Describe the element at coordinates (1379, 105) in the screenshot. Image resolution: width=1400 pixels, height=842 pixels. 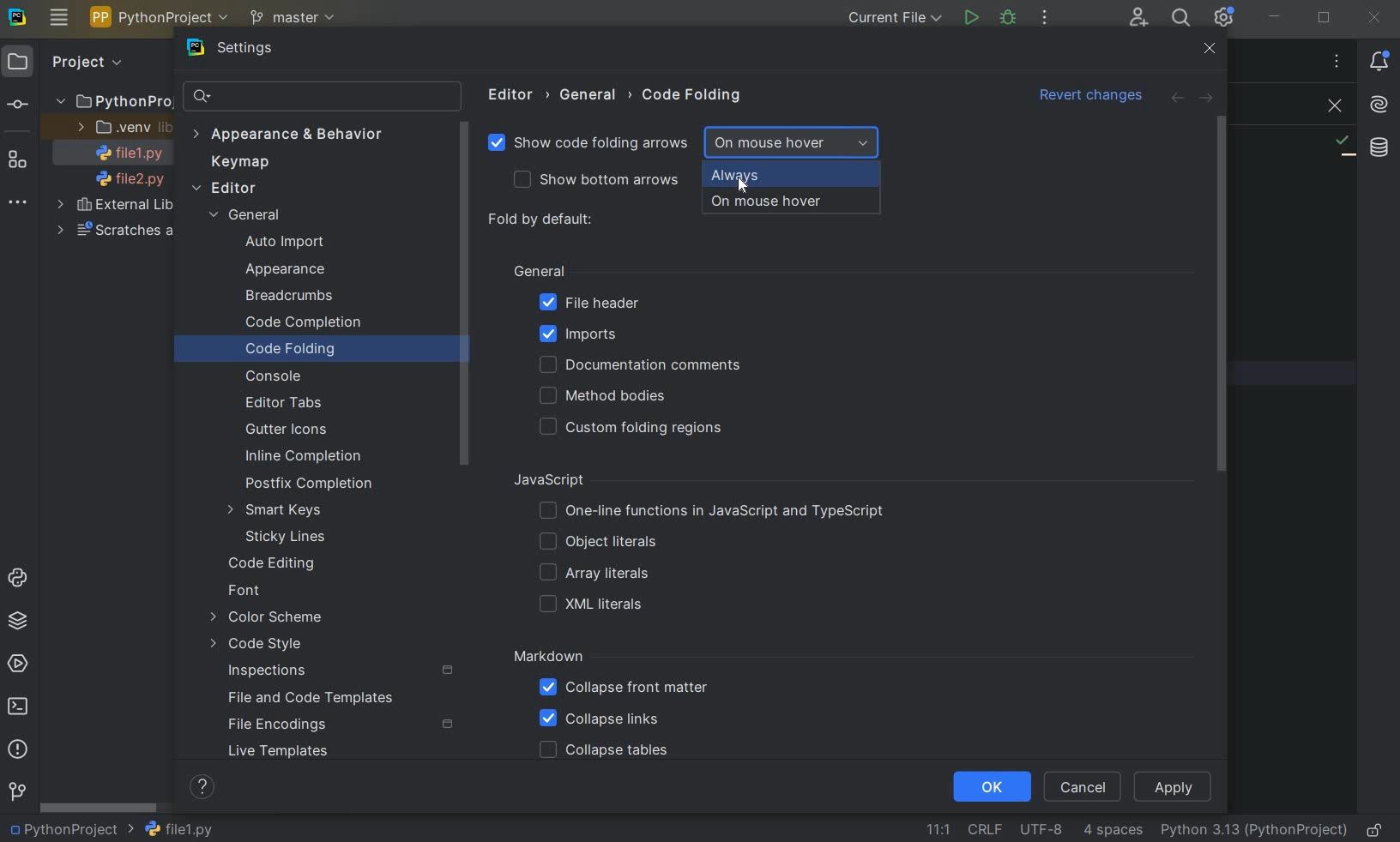
I see `AI ASSISTANT` at that location.